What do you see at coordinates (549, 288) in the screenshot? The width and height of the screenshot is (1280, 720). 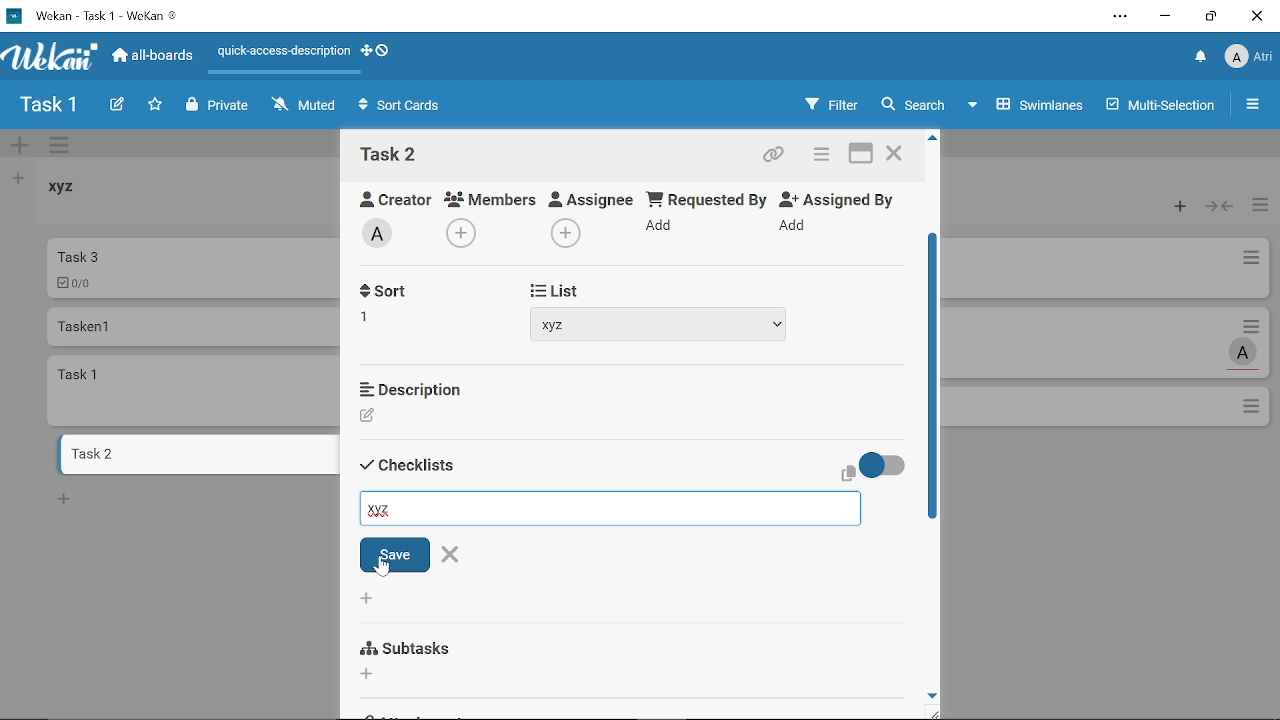 I see `Start` at bounding box center [549, 288].